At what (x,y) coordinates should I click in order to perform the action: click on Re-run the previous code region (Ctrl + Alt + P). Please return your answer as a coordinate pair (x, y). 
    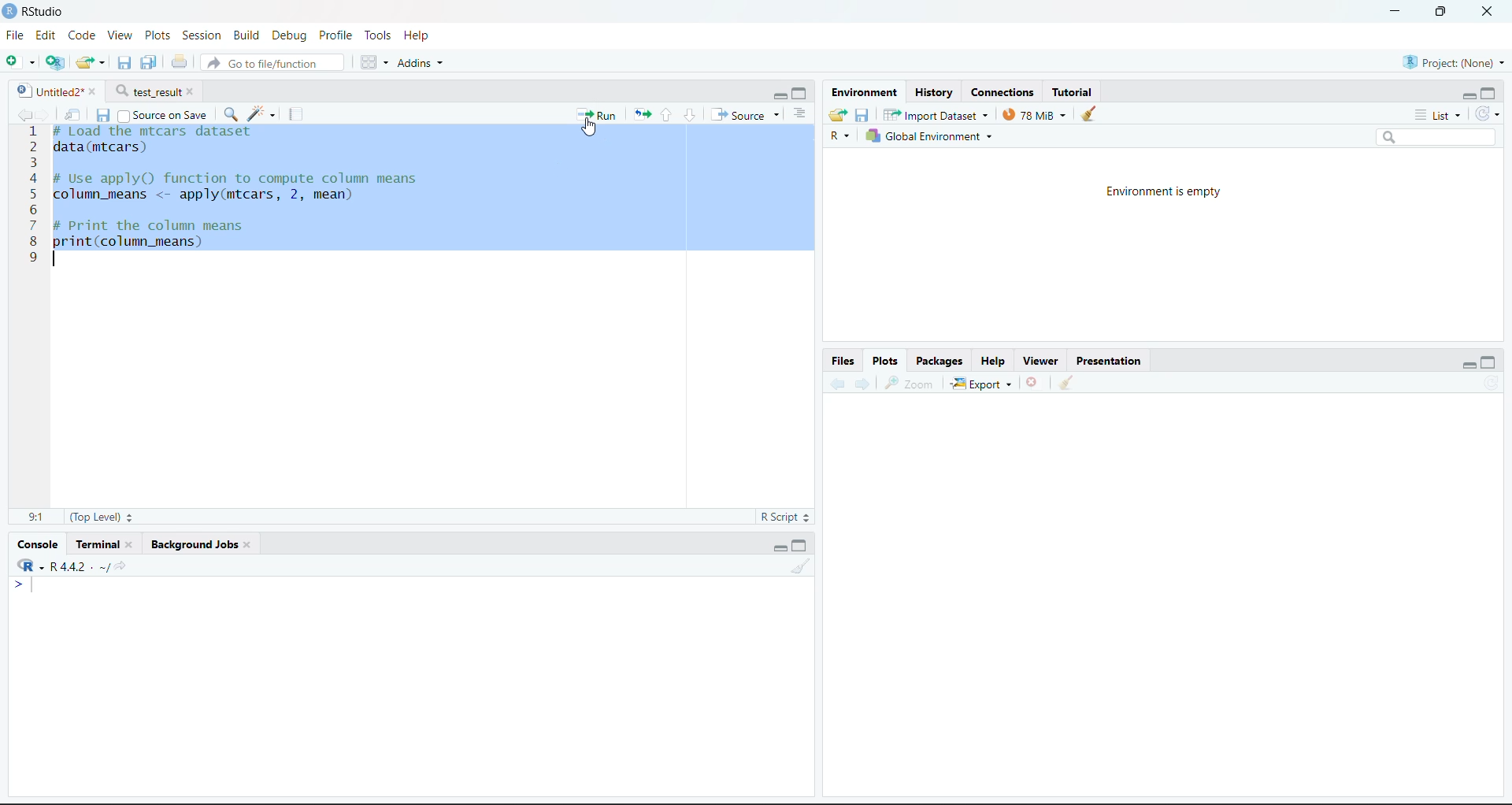
    Looking at the image, I should click on (641, 116).